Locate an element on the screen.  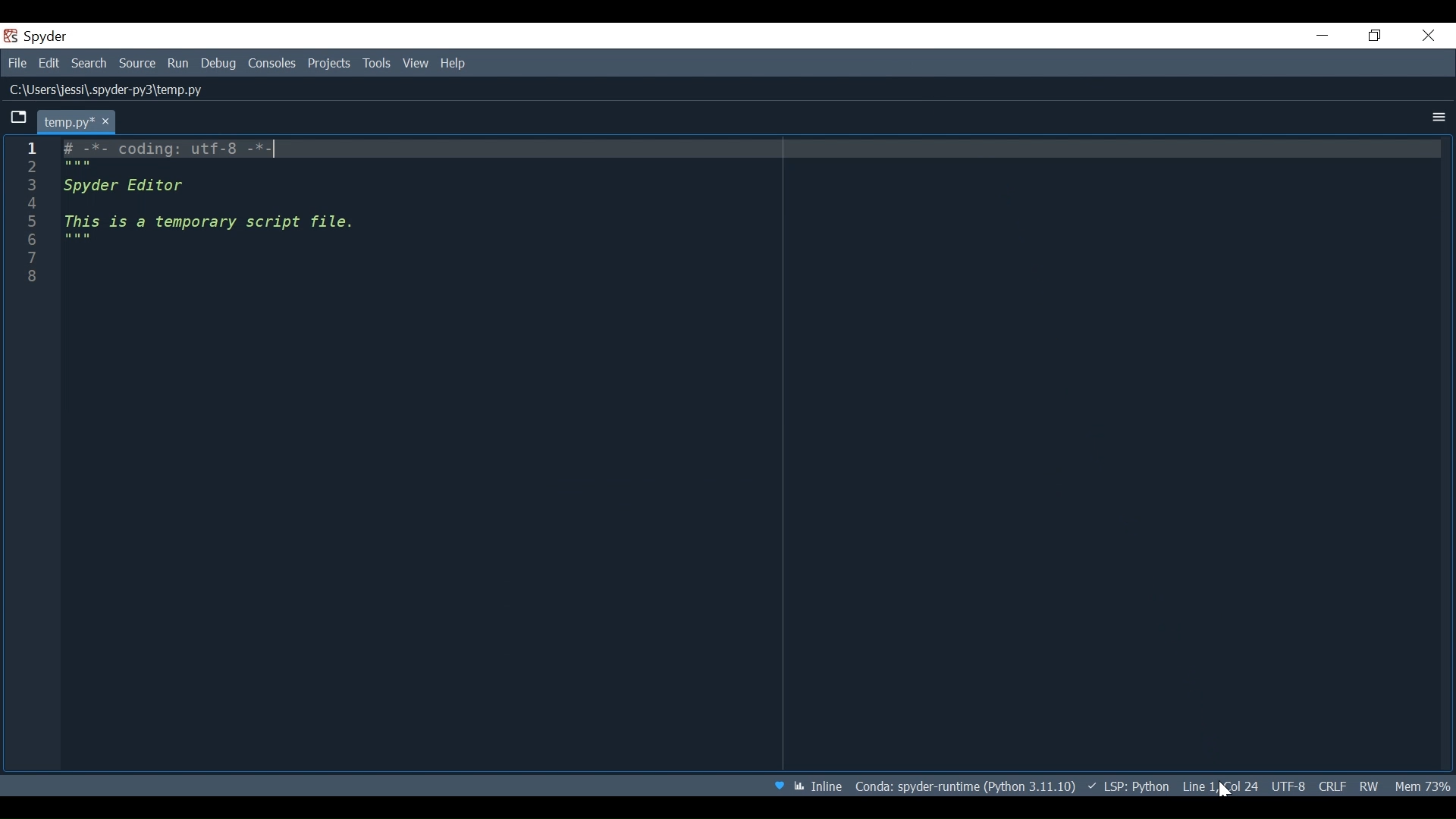
Toggle between Inline and interactive Matplotlib plotting is located at coordinates (821, 784).